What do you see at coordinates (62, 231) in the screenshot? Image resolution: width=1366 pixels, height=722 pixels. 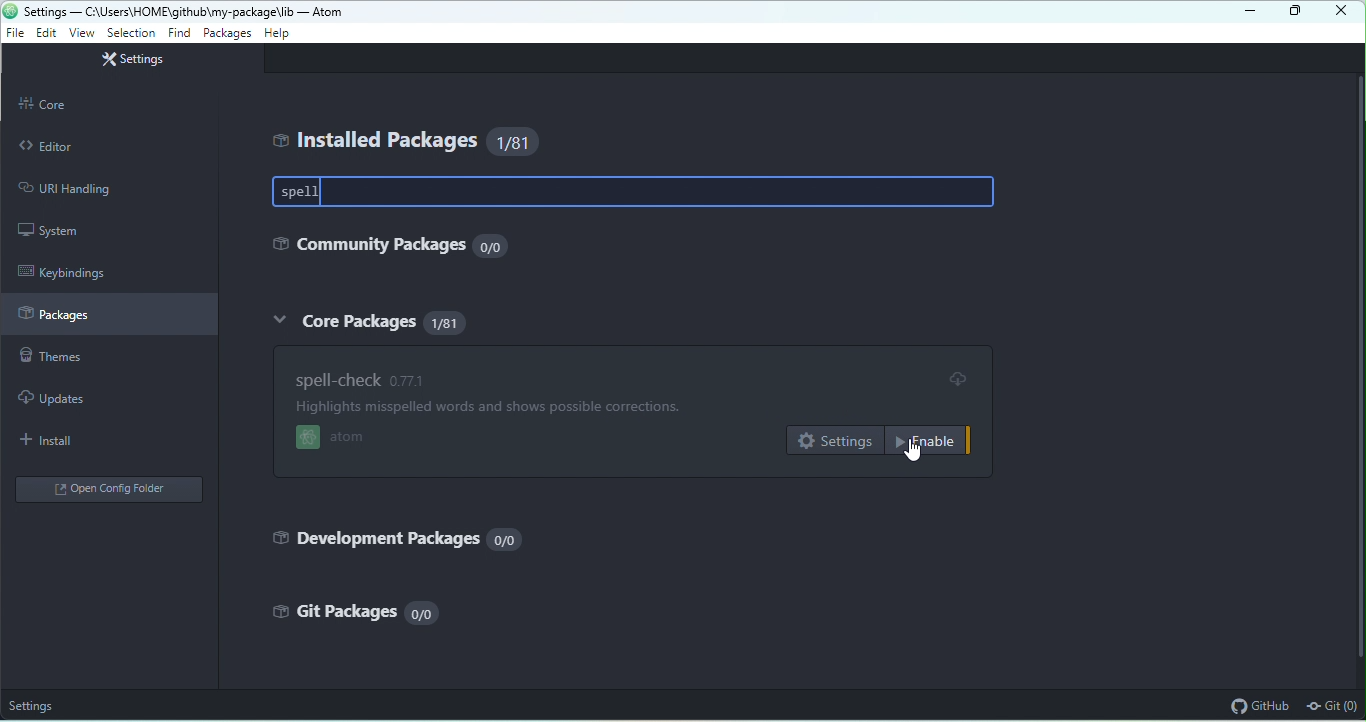 I see `system` at bounding box center [62, 231].